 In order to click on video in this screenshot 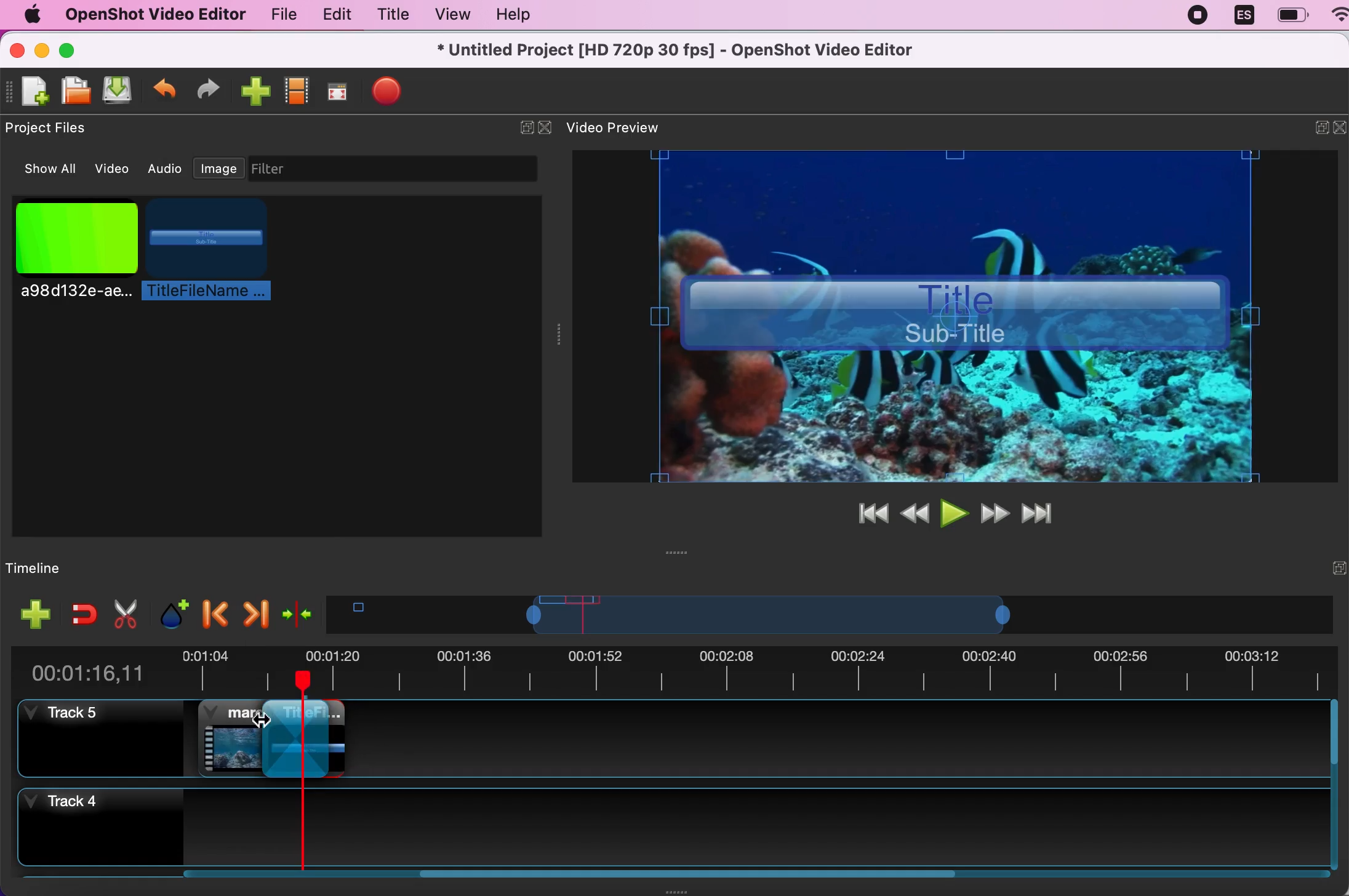, I will do `click(114, 167)`.